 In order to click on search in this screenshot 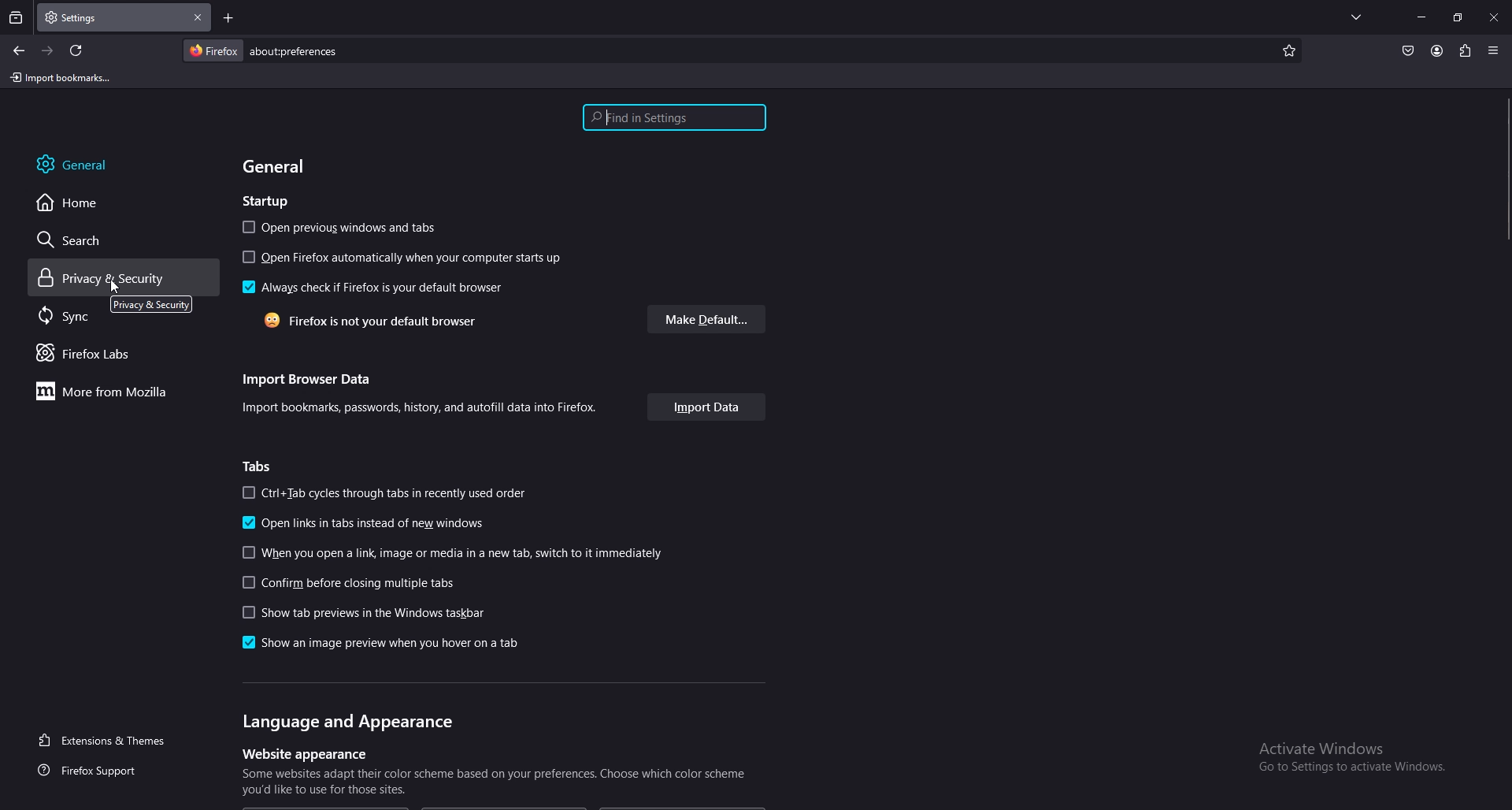, I will do `click(97, 240)`.